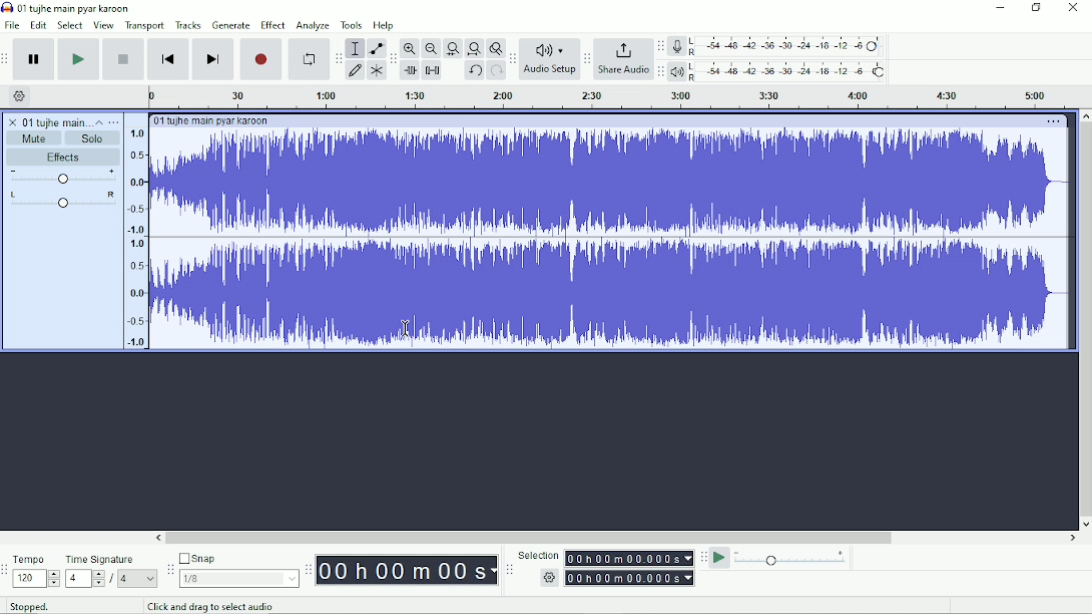  I want to click on Audacity snapping toolbar, so click(170, 570).